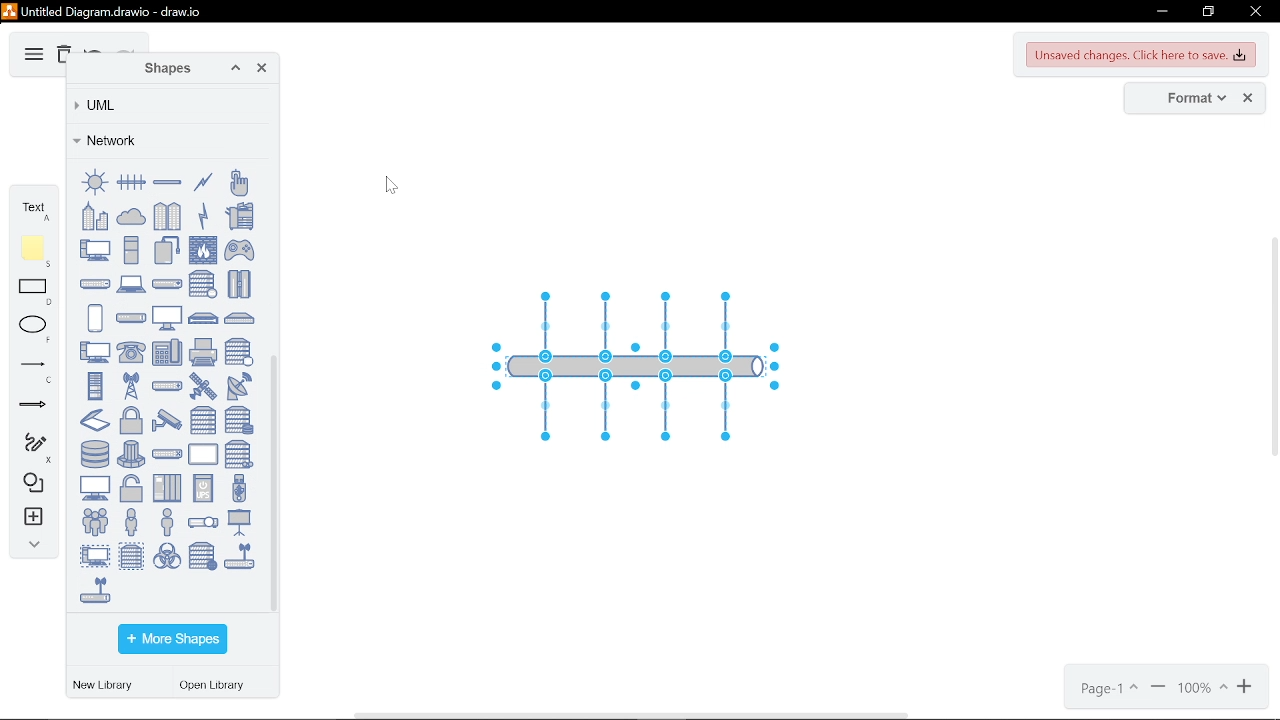  What do you see at coordinates (239, 454) in the screenshot?
I see `tape storage` at bounding box center [239, 454].